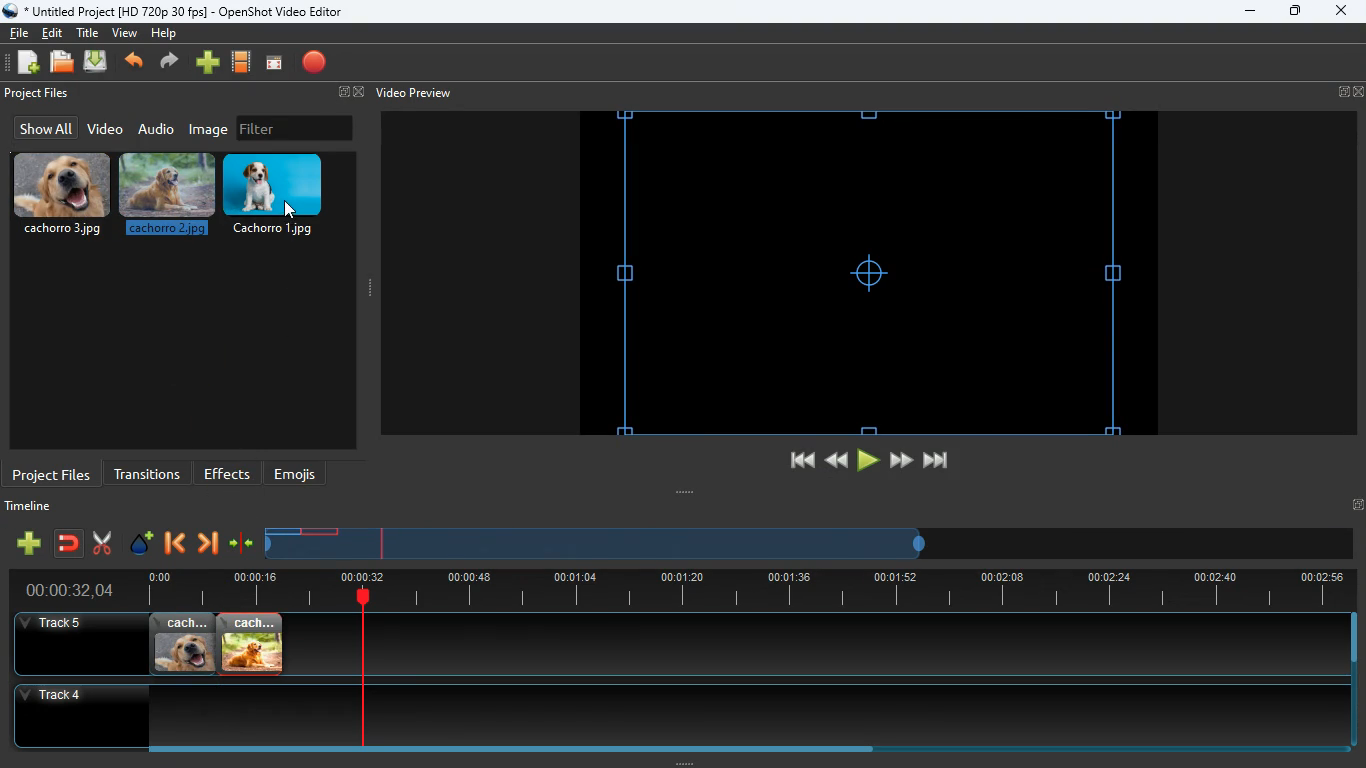 Image resolution: width=1366 pixels, height=768 pixels. Describe the element at coordinates (147, 472) in the screenshot. I see `transitions` at that location.